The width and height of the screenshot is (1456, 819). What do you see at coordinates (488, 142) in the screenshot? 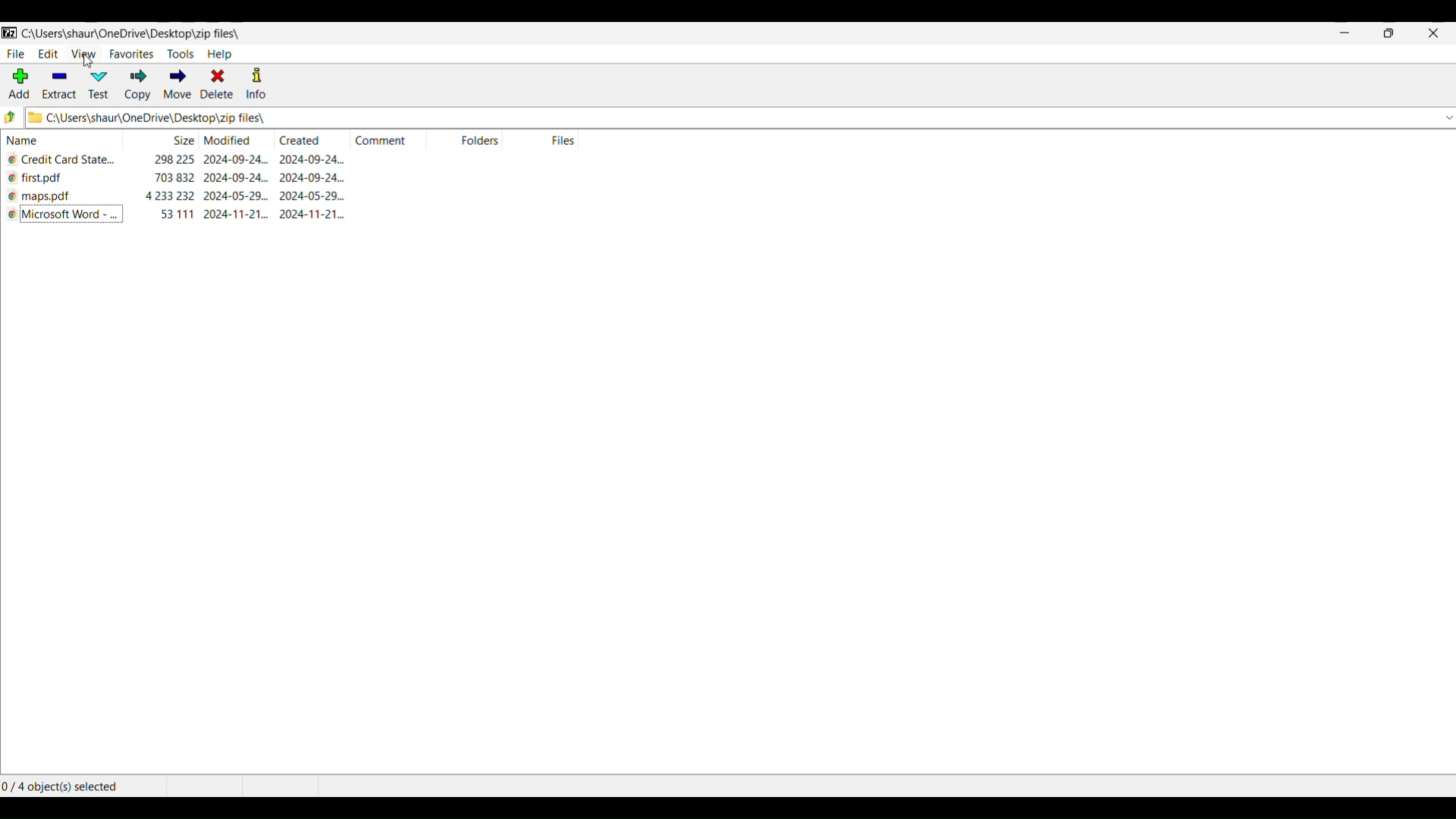
I see `folders` at bounding box center [488, 142].